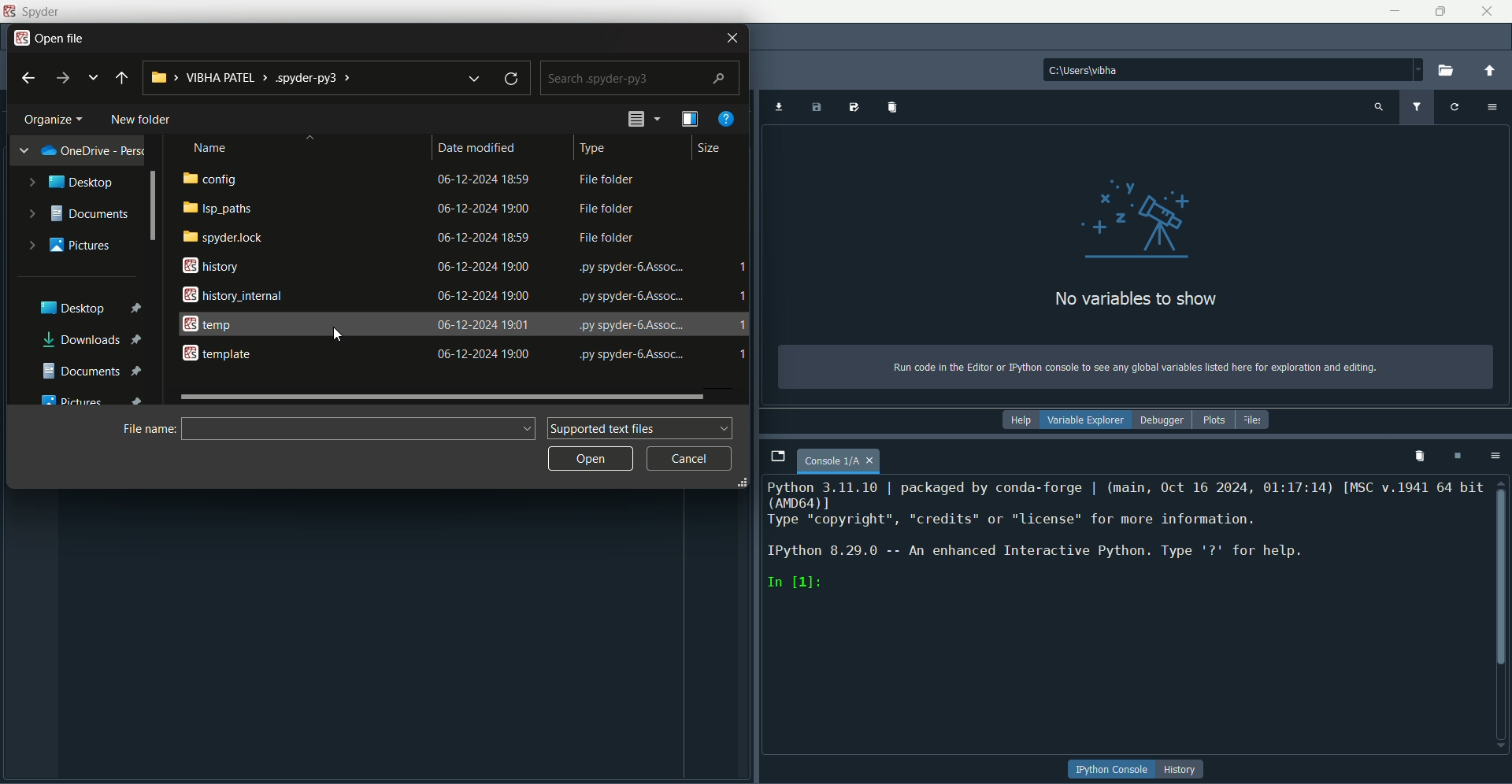  I want to click on filter variable, so click(1417, 106).